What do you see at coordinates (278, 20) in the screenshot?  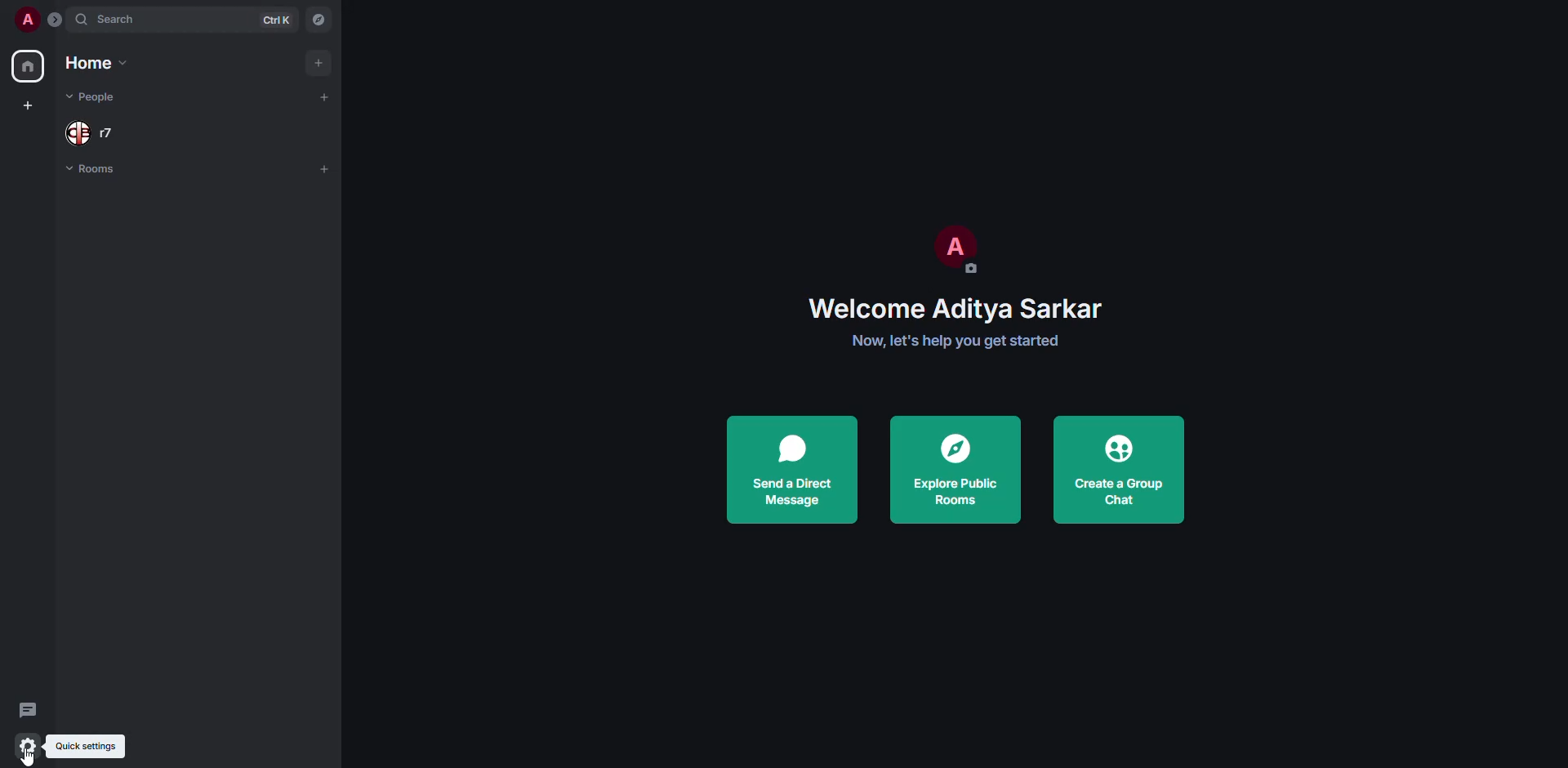 I see `ctrl K` at bounding box center [278, 20].